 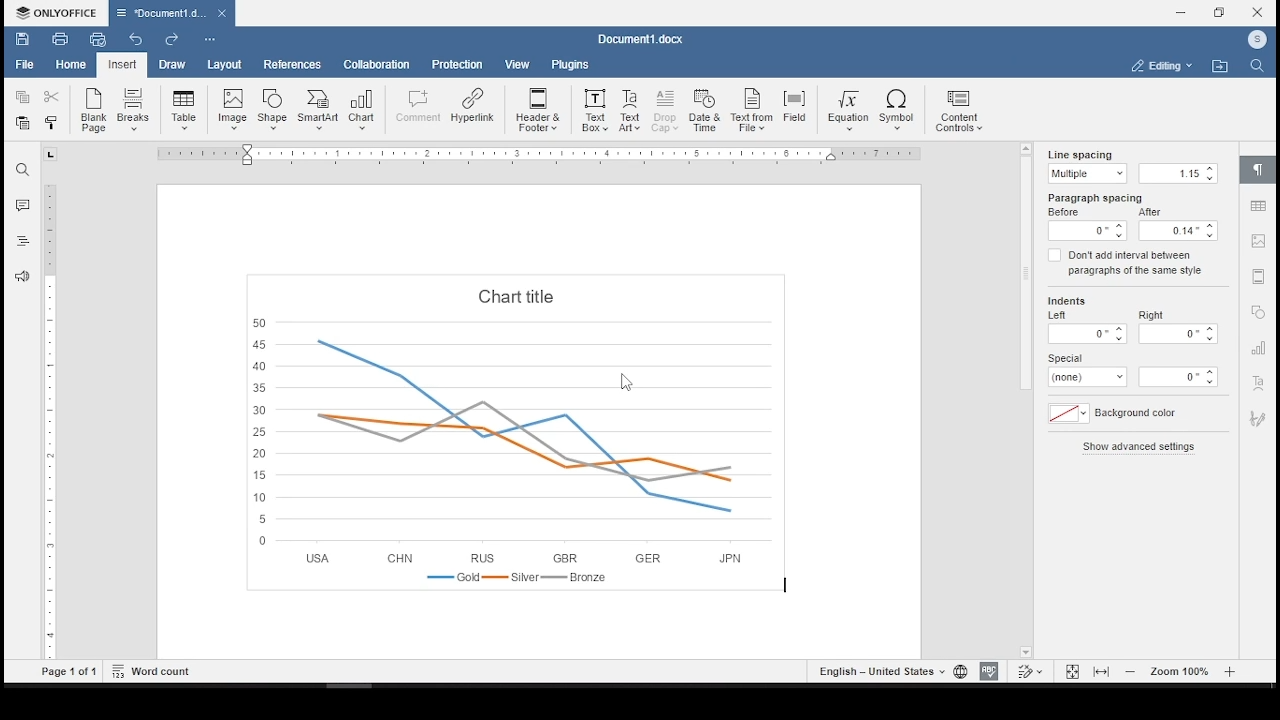 I want to click on set document language, so click(x=959, y=671).